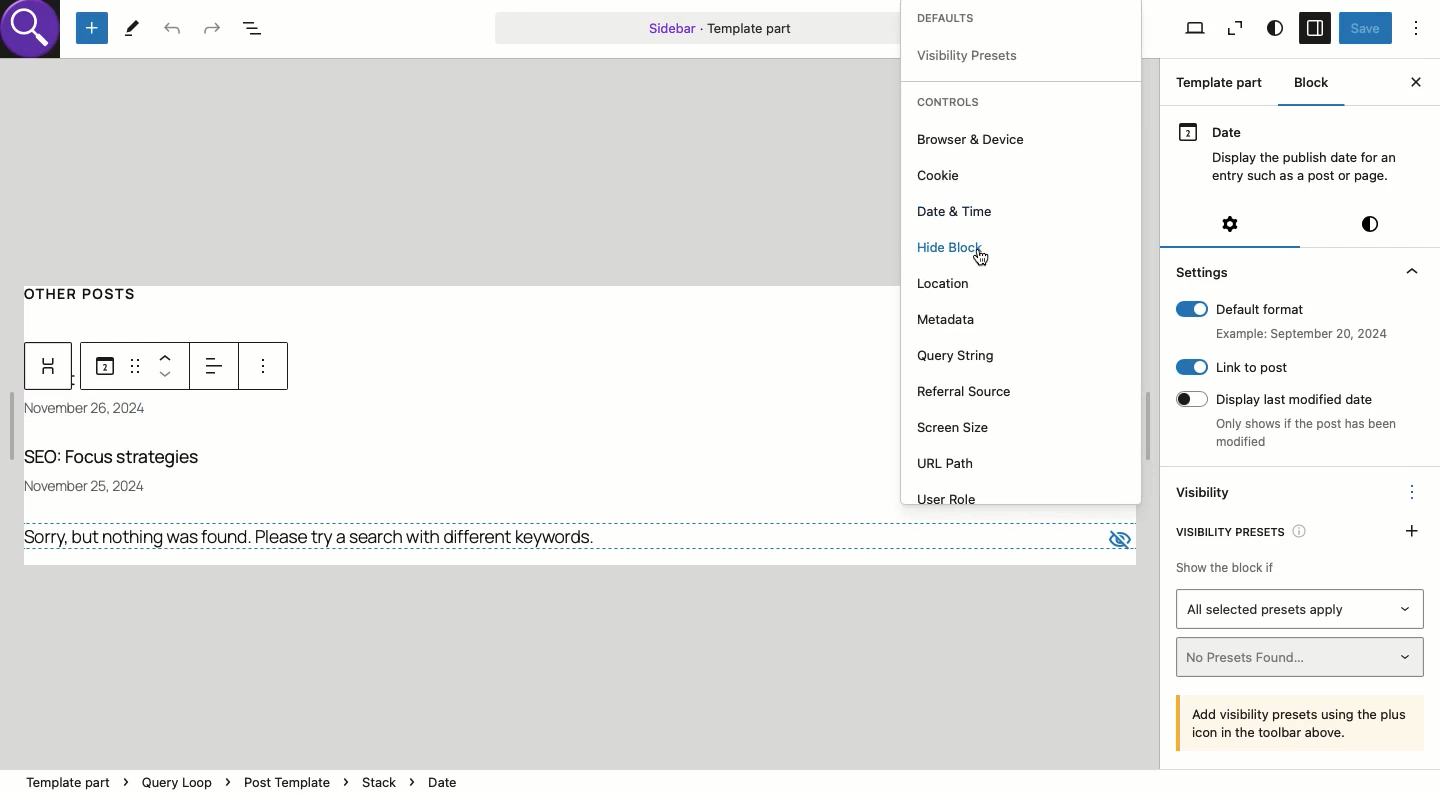 This screenshot has width=1440, height=794. I want to click on Undo, so click(173, 30).